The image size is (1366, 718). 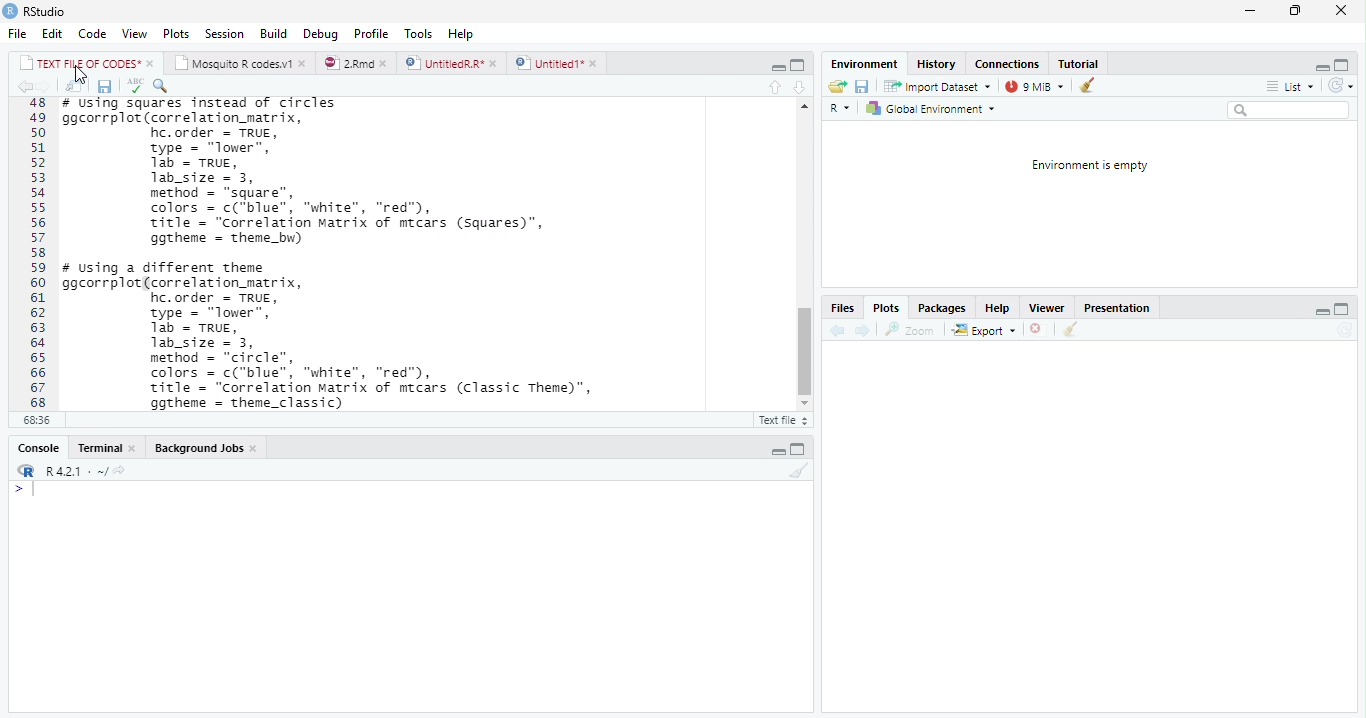 I want to click on  History, so click(x=938, y=66).